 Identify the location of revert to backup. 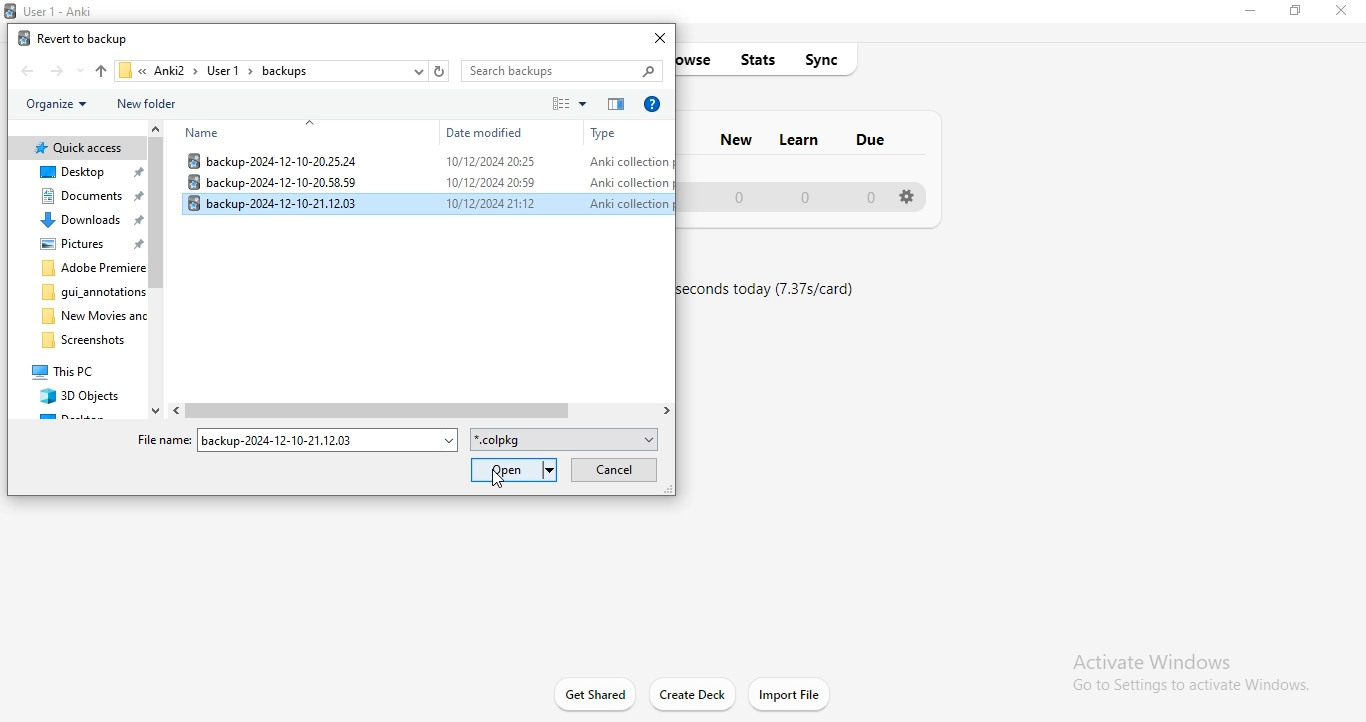
(75, 37).